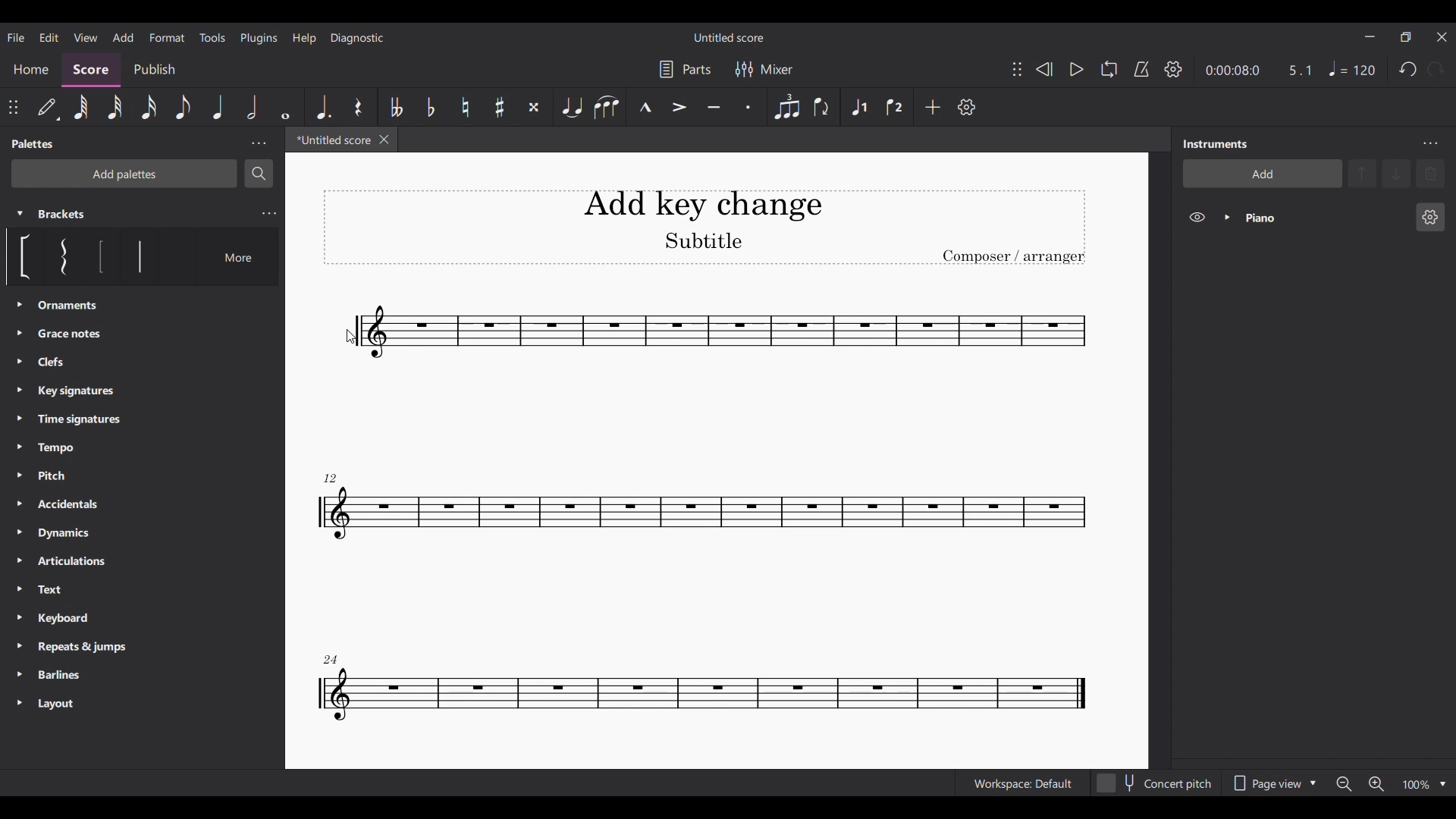 The height and width of the screenshot is (819, 1456). I want to click on Bracket options to choose from, so click(56, 256).